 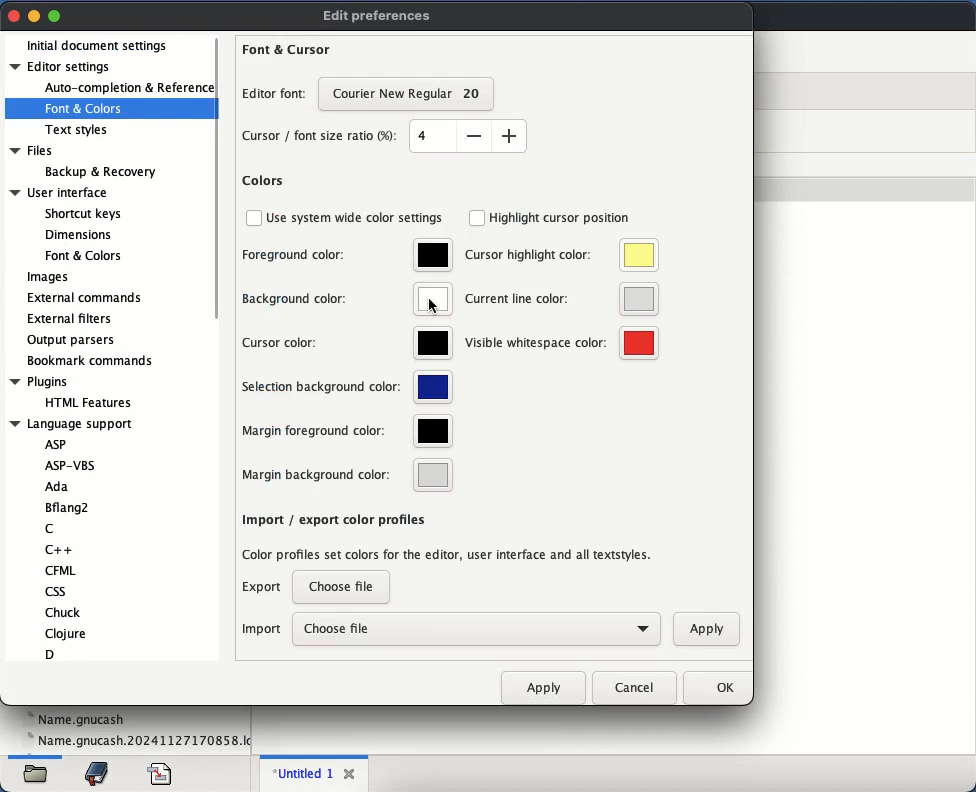 I want to click on close, so click(x=15, y=15).